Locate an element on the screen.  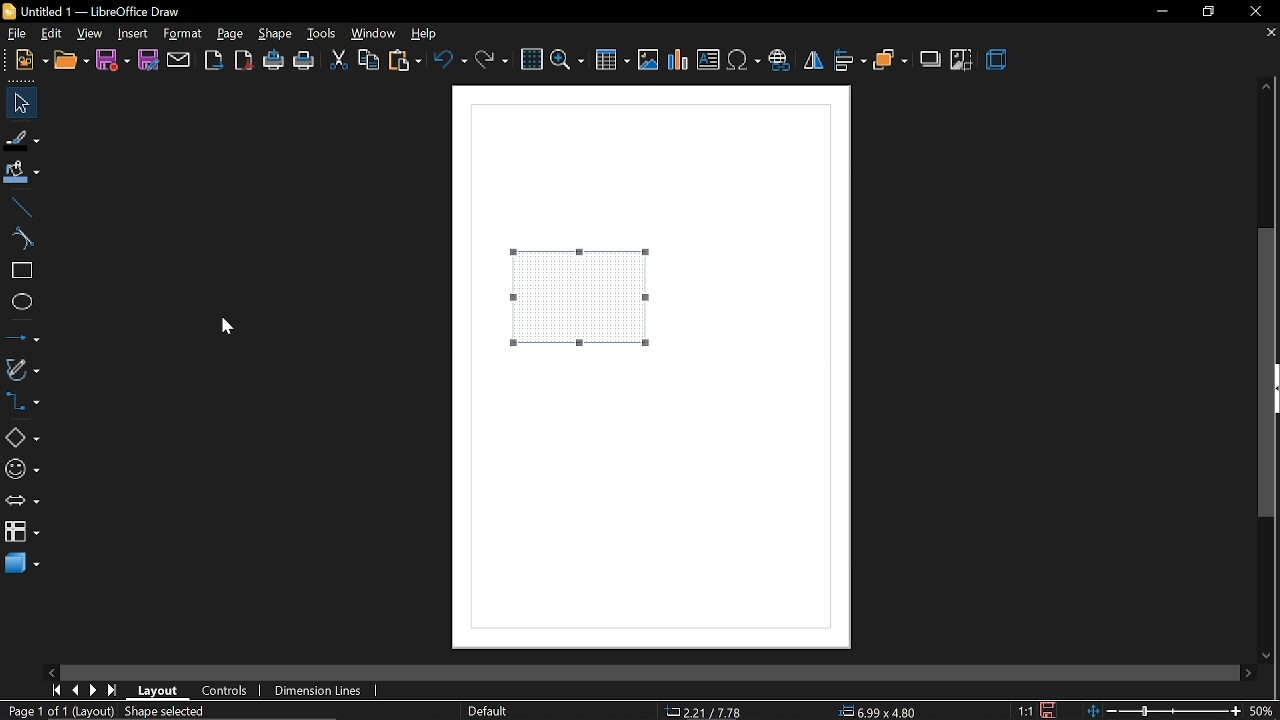
Move up is located at coordinates (1266, 86).